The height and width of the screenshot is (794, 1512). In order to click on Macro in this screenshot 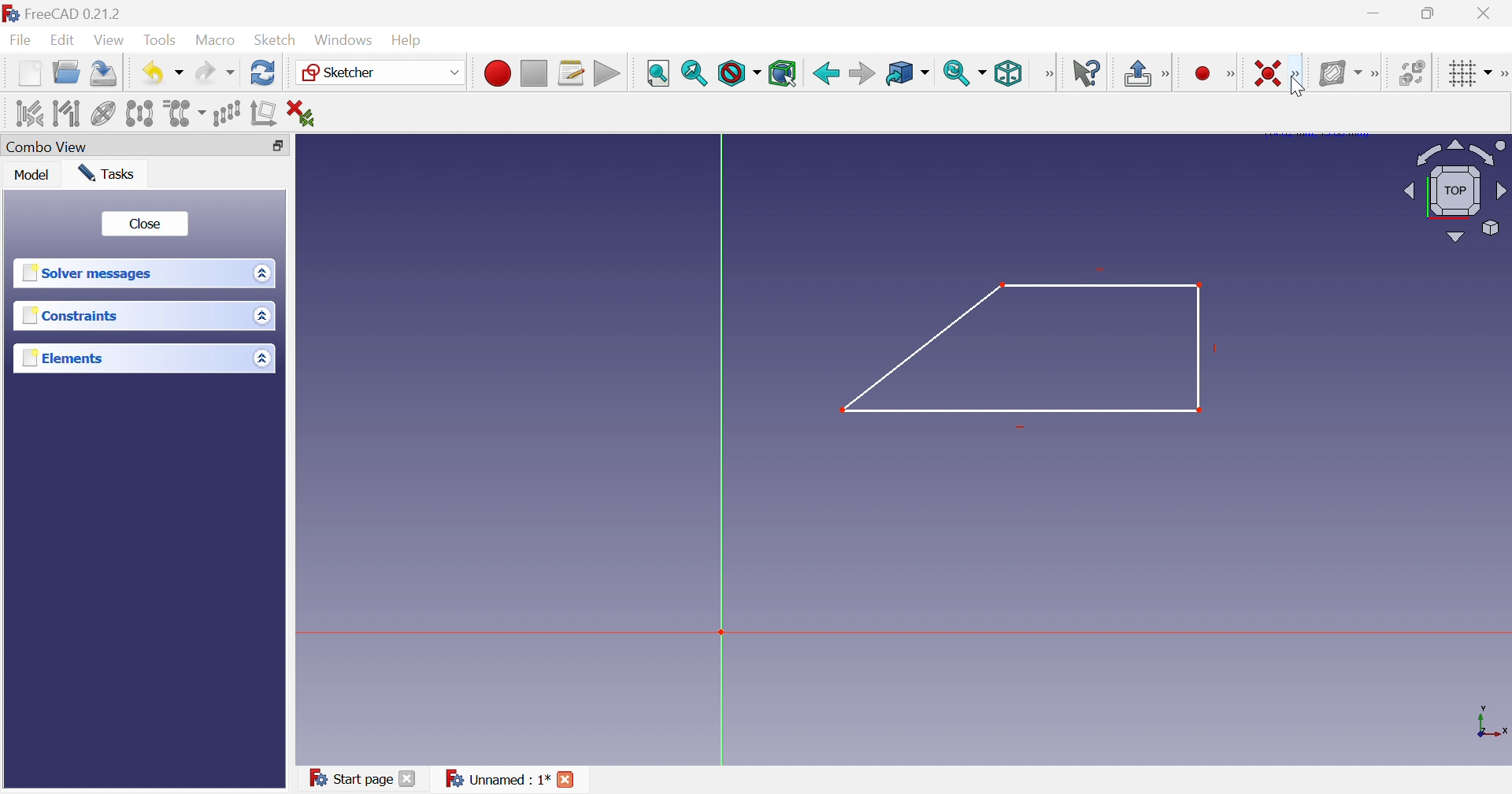, I will do `click(216, 41)`.